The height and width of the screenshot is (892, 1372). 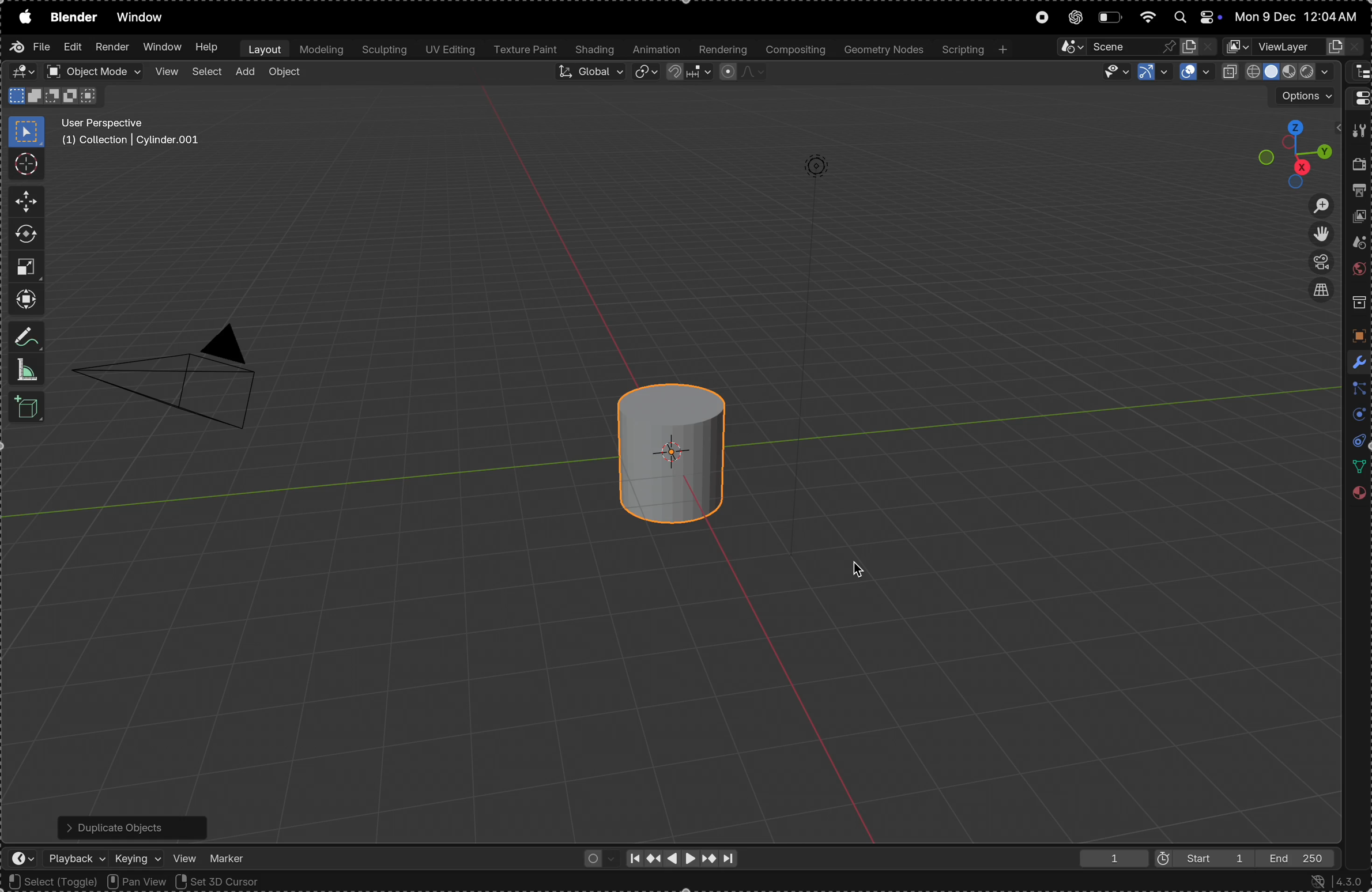 I want to click on worls, so click(x=1358, y=271).